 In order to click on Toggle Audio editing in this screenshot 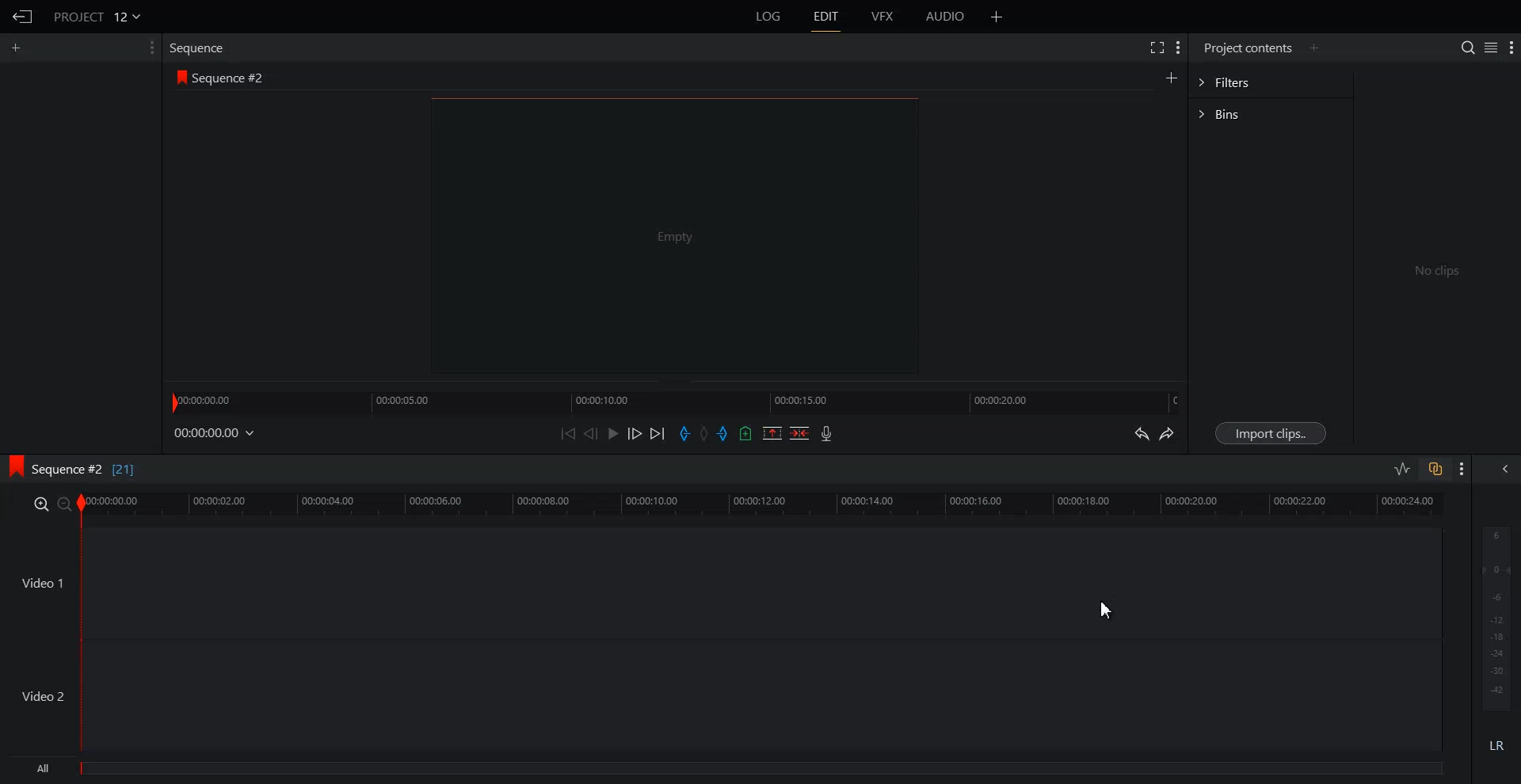, I will do `click(1403, 468)`.